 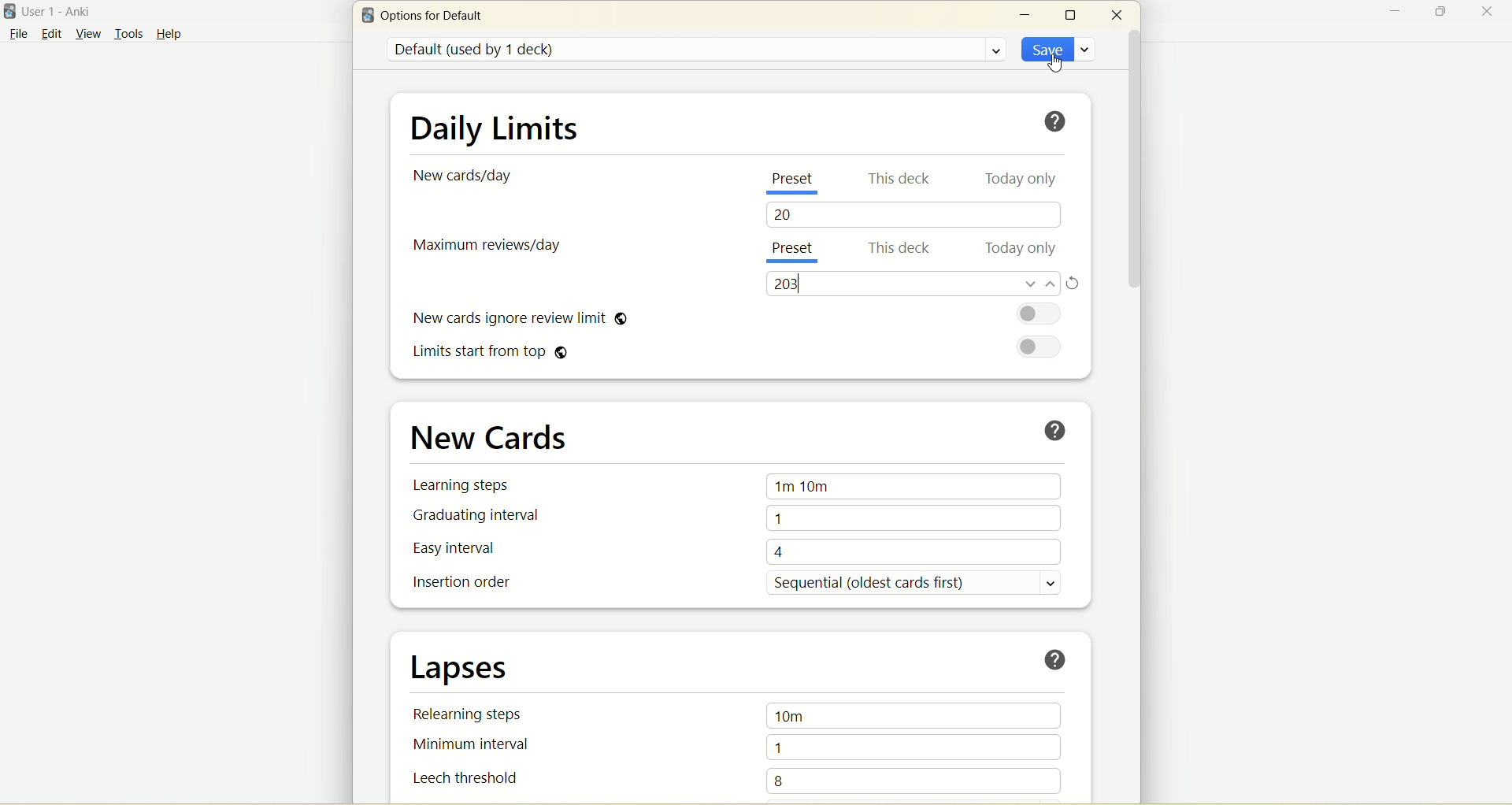 What do you see at coordinates (786, 283) in the screenshot?
I see `200` at bounding box center [786, 283].